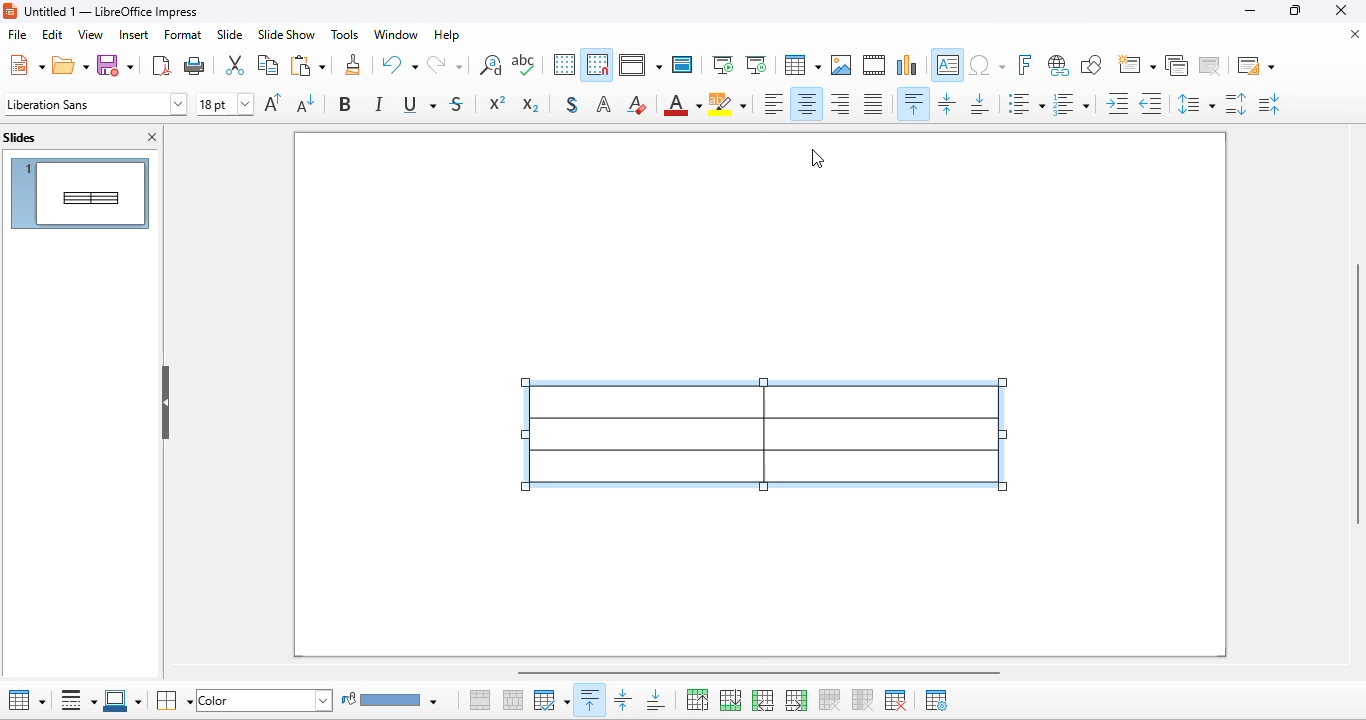 The height and width of the screenshot is (720, 1366). What do you see at coordinates (458, 104) in the screenshot?
I see `strikethrough` at bounding box center [458, 104].